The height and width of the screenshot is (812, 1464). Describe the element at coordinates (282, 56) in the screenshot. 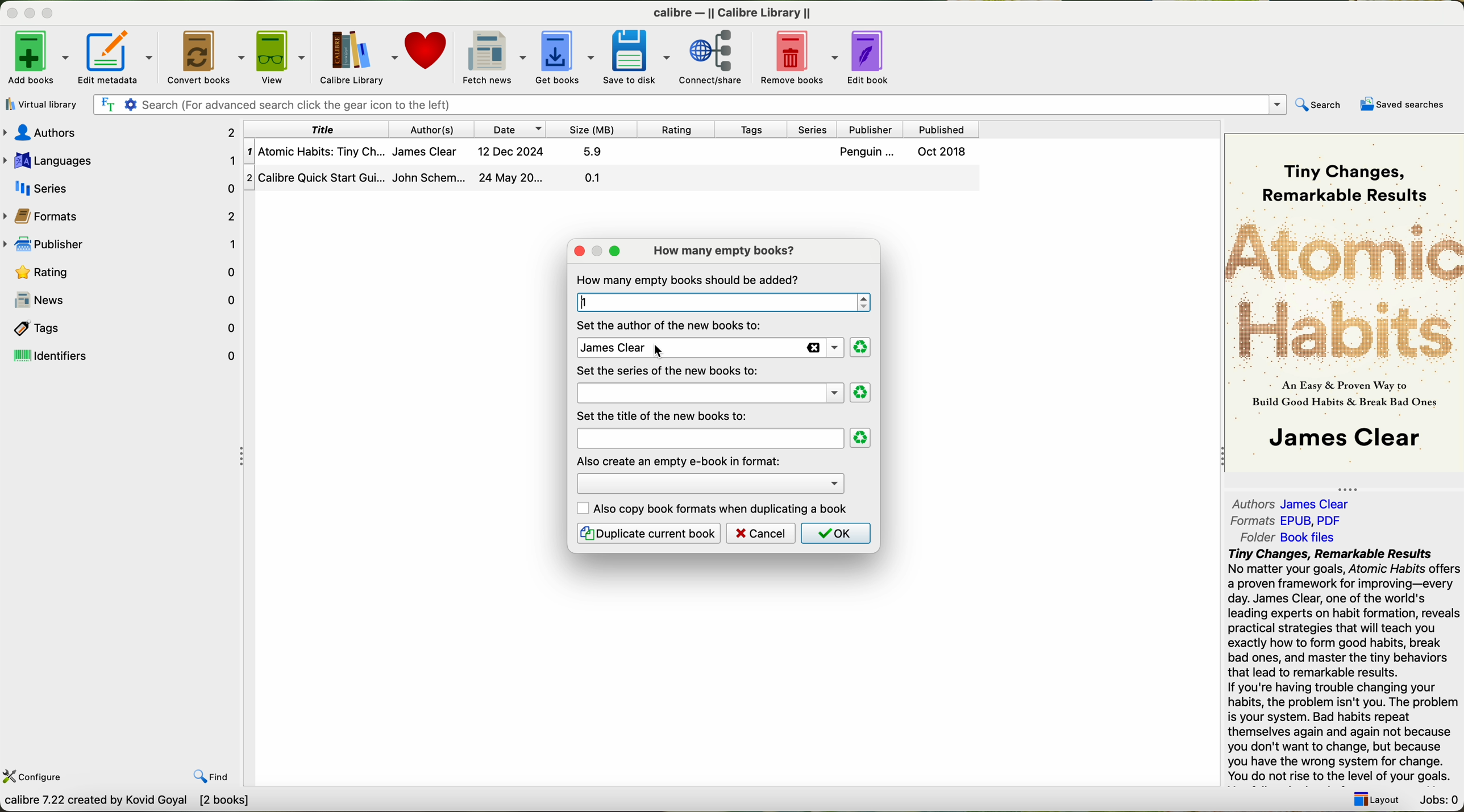

I see `view` at that location.